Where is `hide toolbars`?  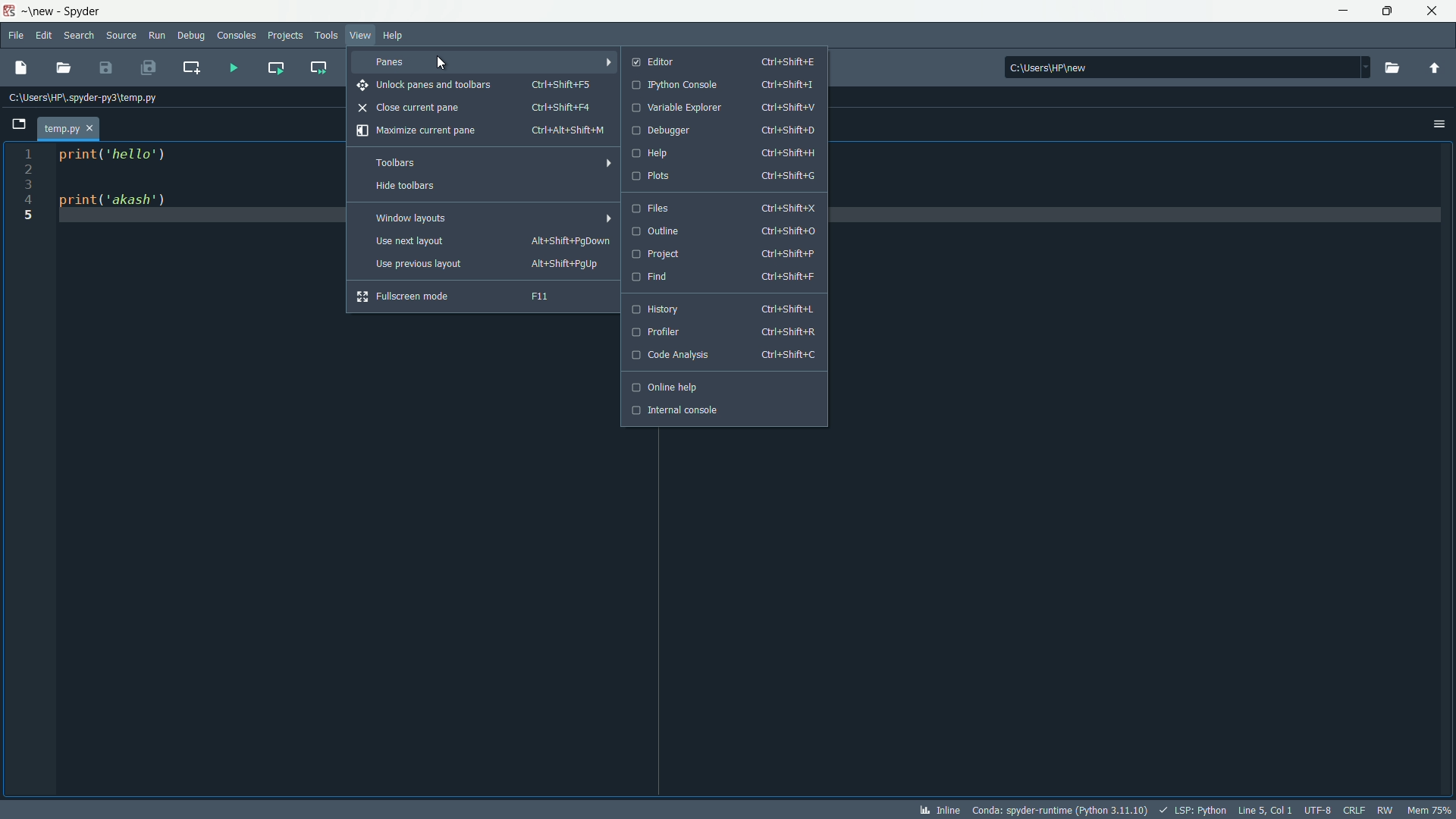 hide toolbars is located at coordinates (480, 187).